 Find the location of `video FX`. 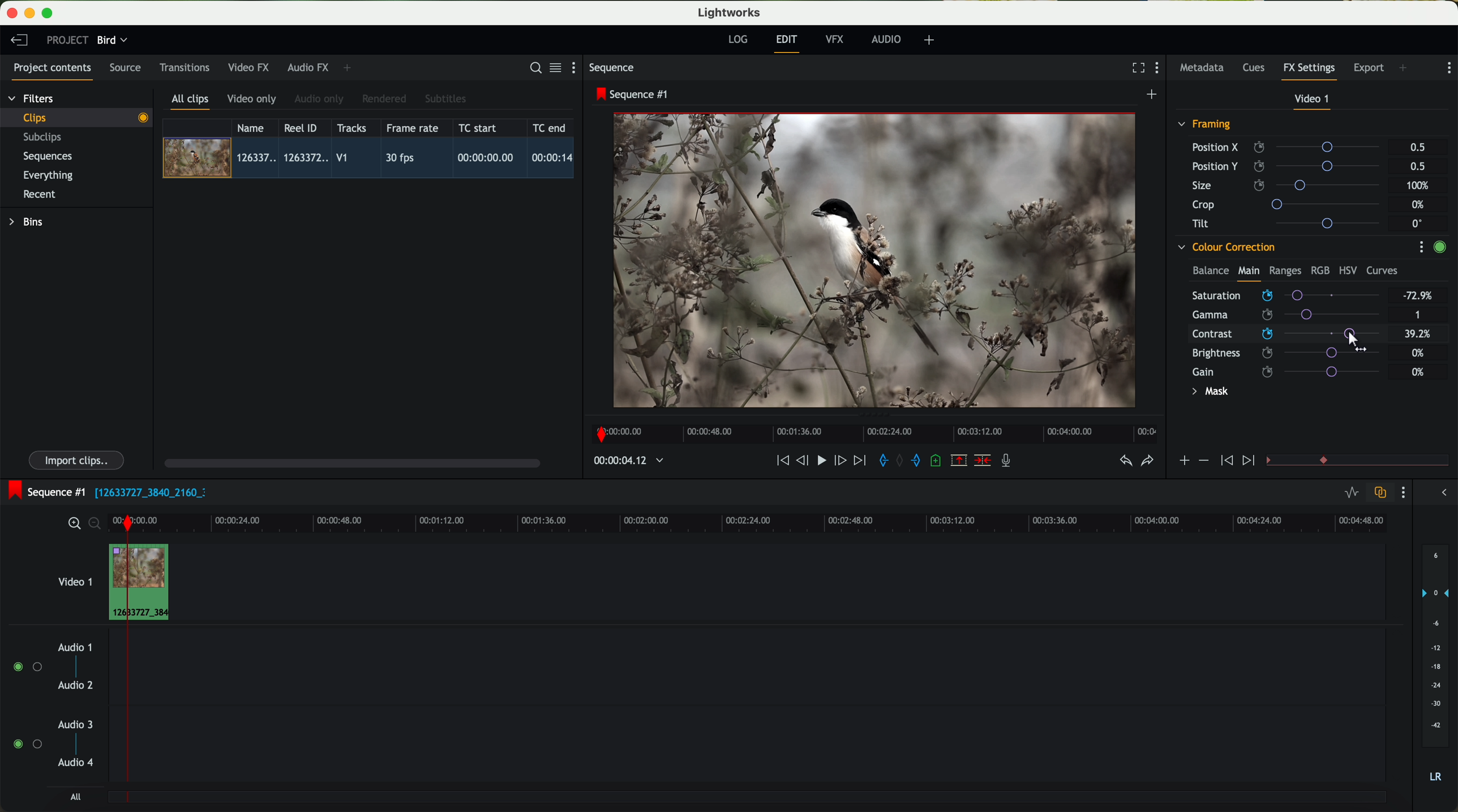

video FX is located at coordinates (251, 67).